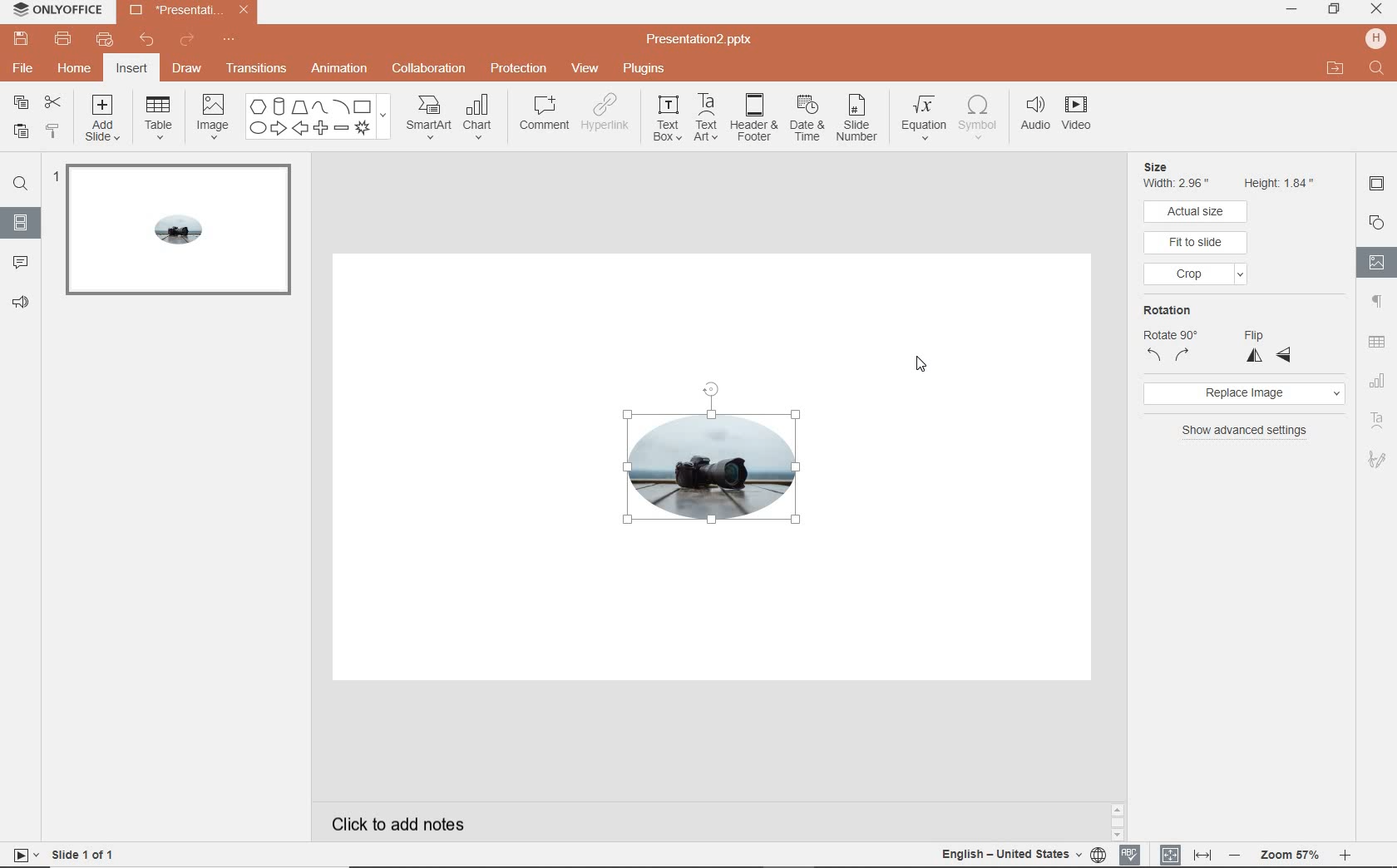  What do you see at coordinates (18, 131) in the screenshot?
I see `paste` at bounding box center [18, 131].